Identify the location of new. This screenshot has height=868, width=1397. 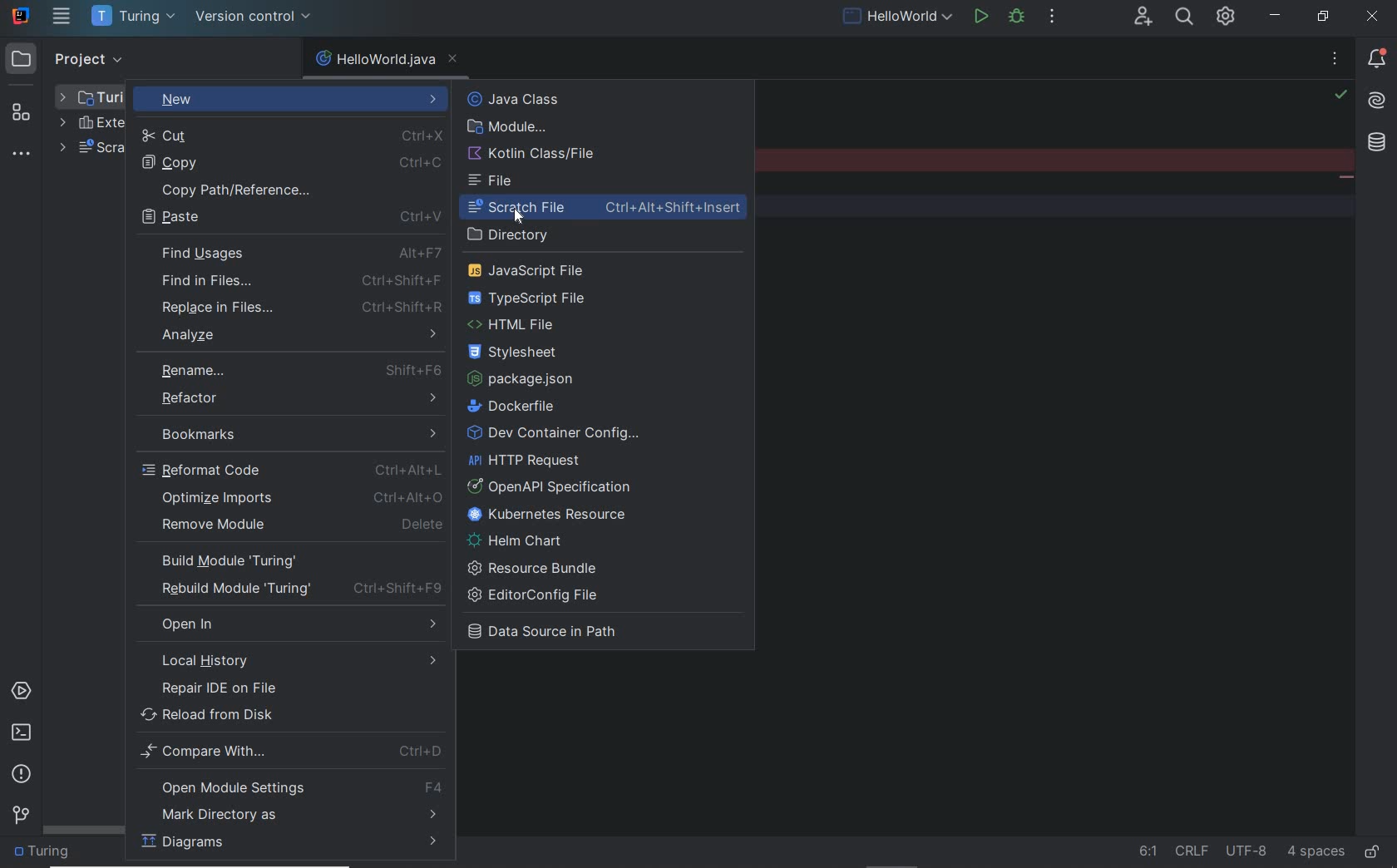
(292, 99).